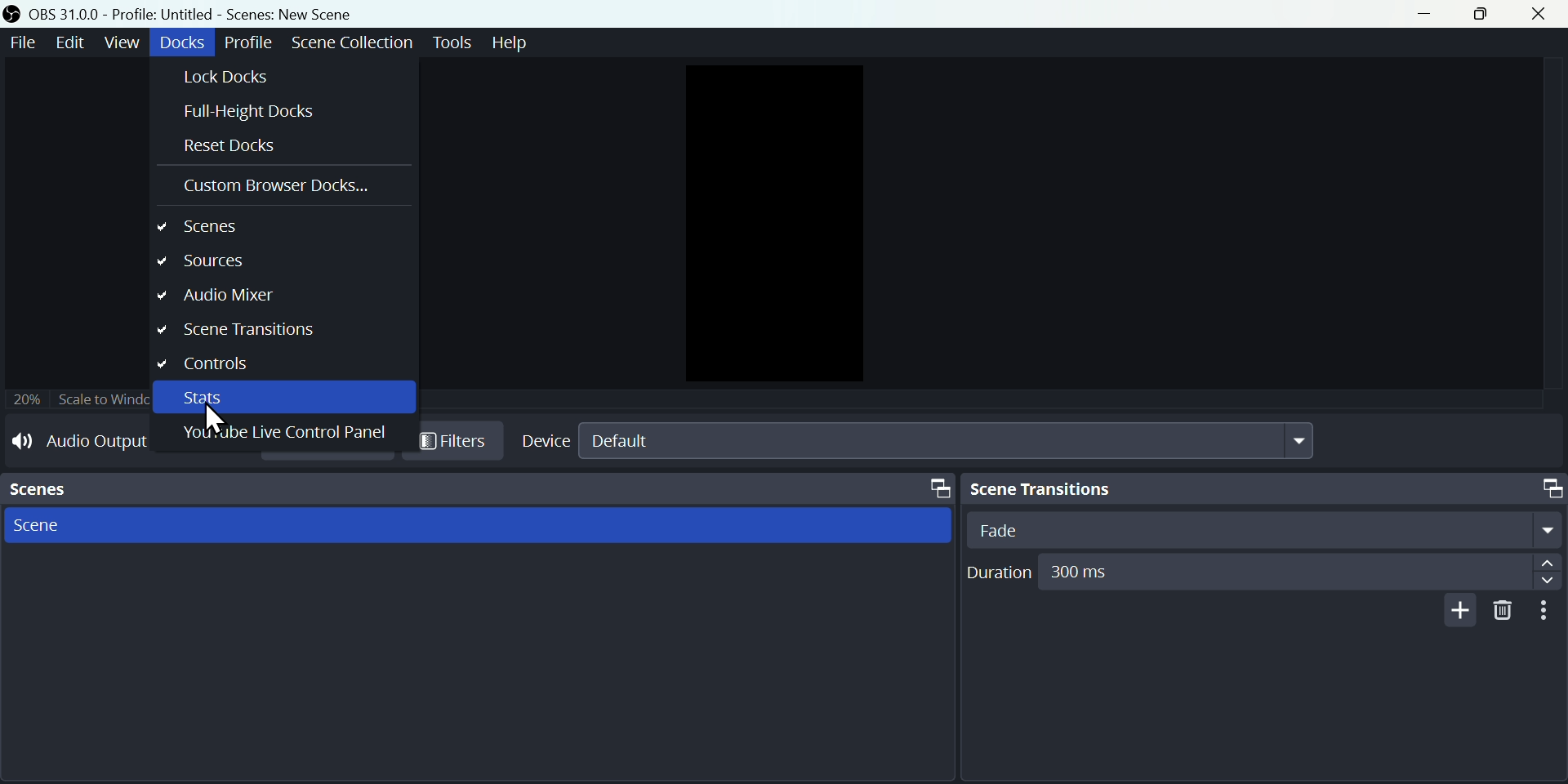  What do you see at coordinates (238, 261) in the screenshot?
I see `sources` at bounding box center [238, 261].